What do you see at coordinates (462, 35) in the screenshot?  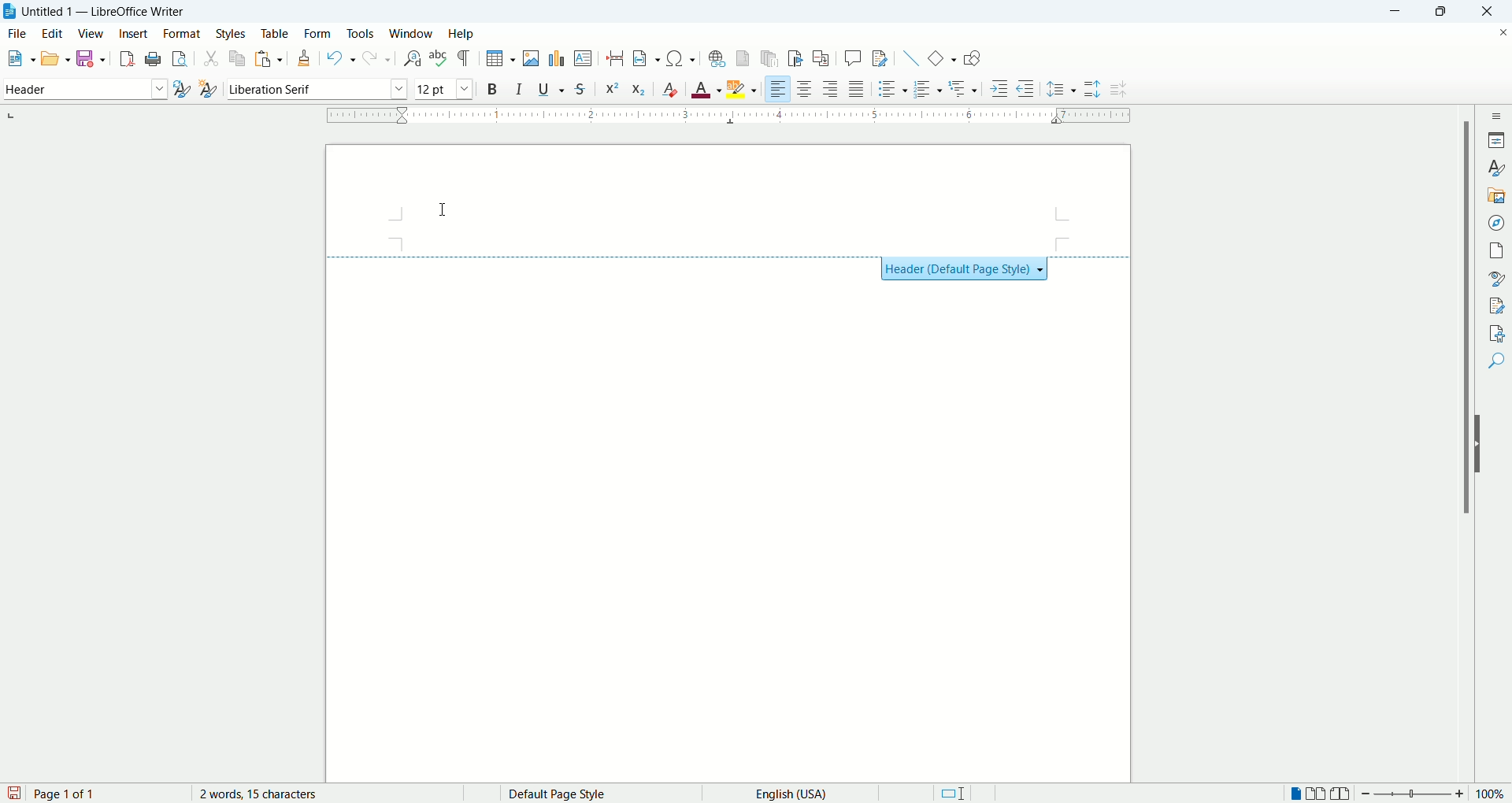 I see `help` at bounding box center [462, 35].